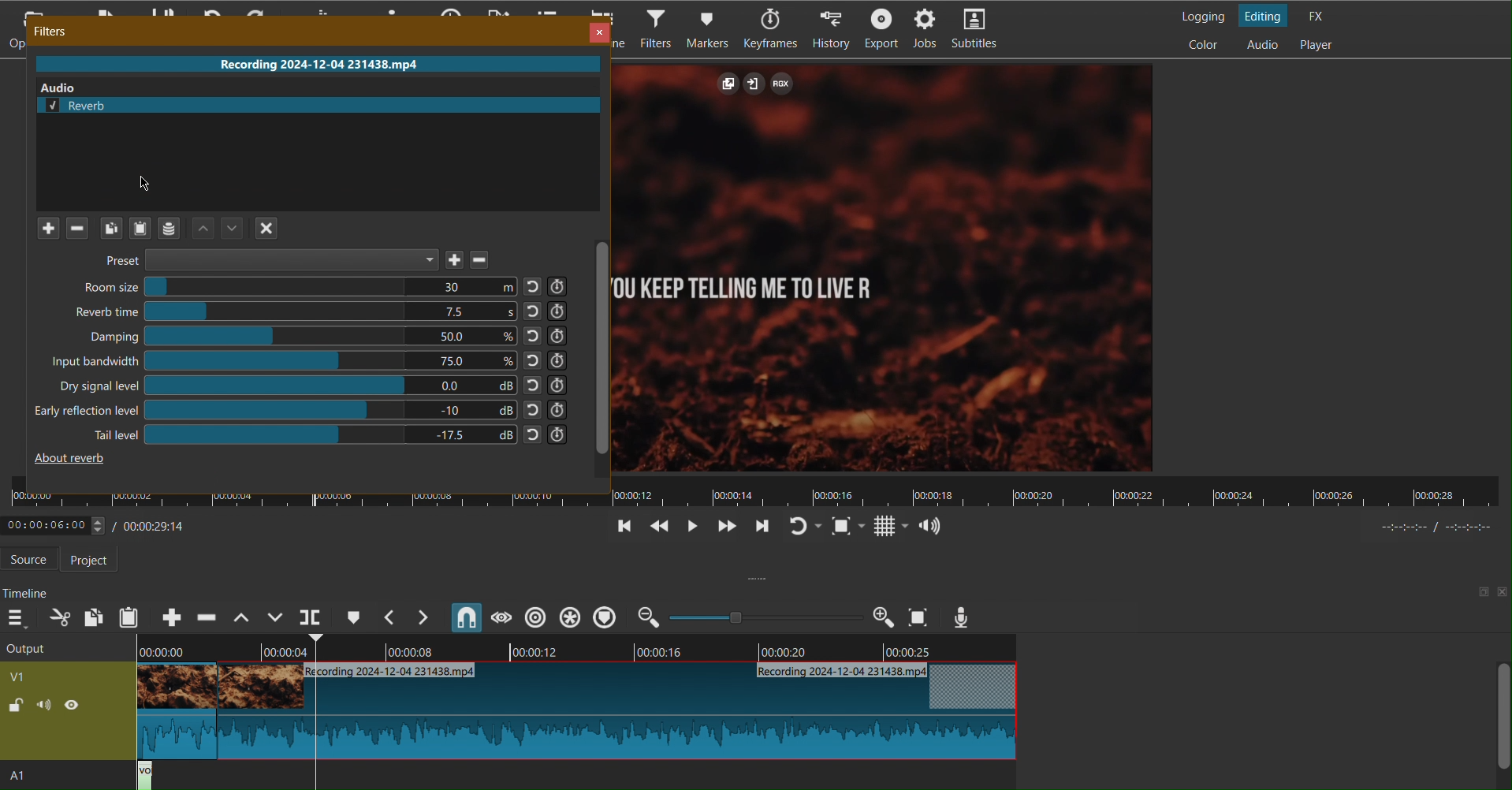 The image size is (1512, 790). What do you see at coordinates (332, 336) in the screenshot?
I see `Damping` at bounding box center [332, 336].